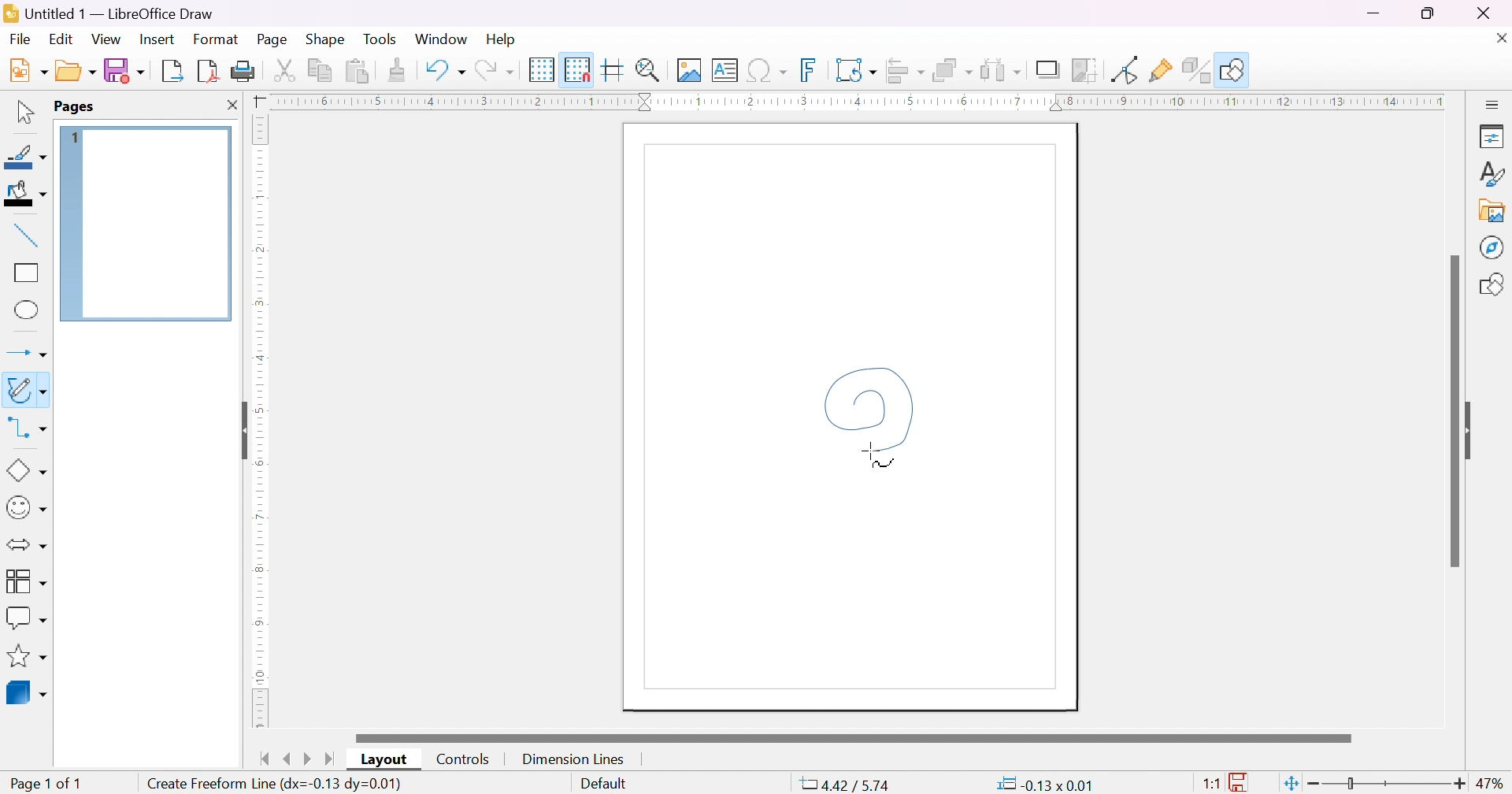  I want to click on select at least three objects to distribute, so click(1001, 70).